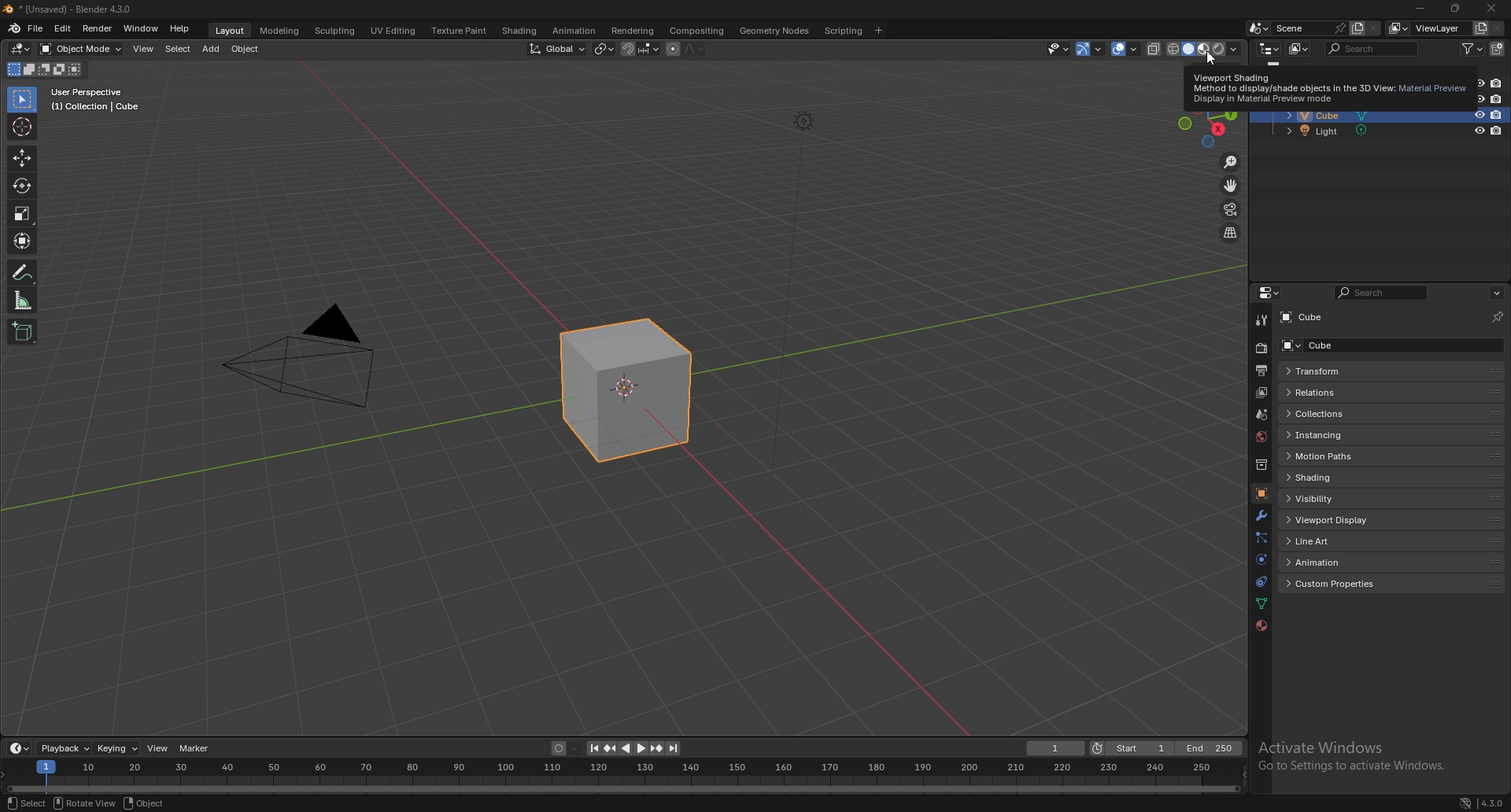 Image resolution: width=1511 pixels, height=812 pixels. Describe the element at coordinates (24, 158) in the screenshot. I see `move` at that location.